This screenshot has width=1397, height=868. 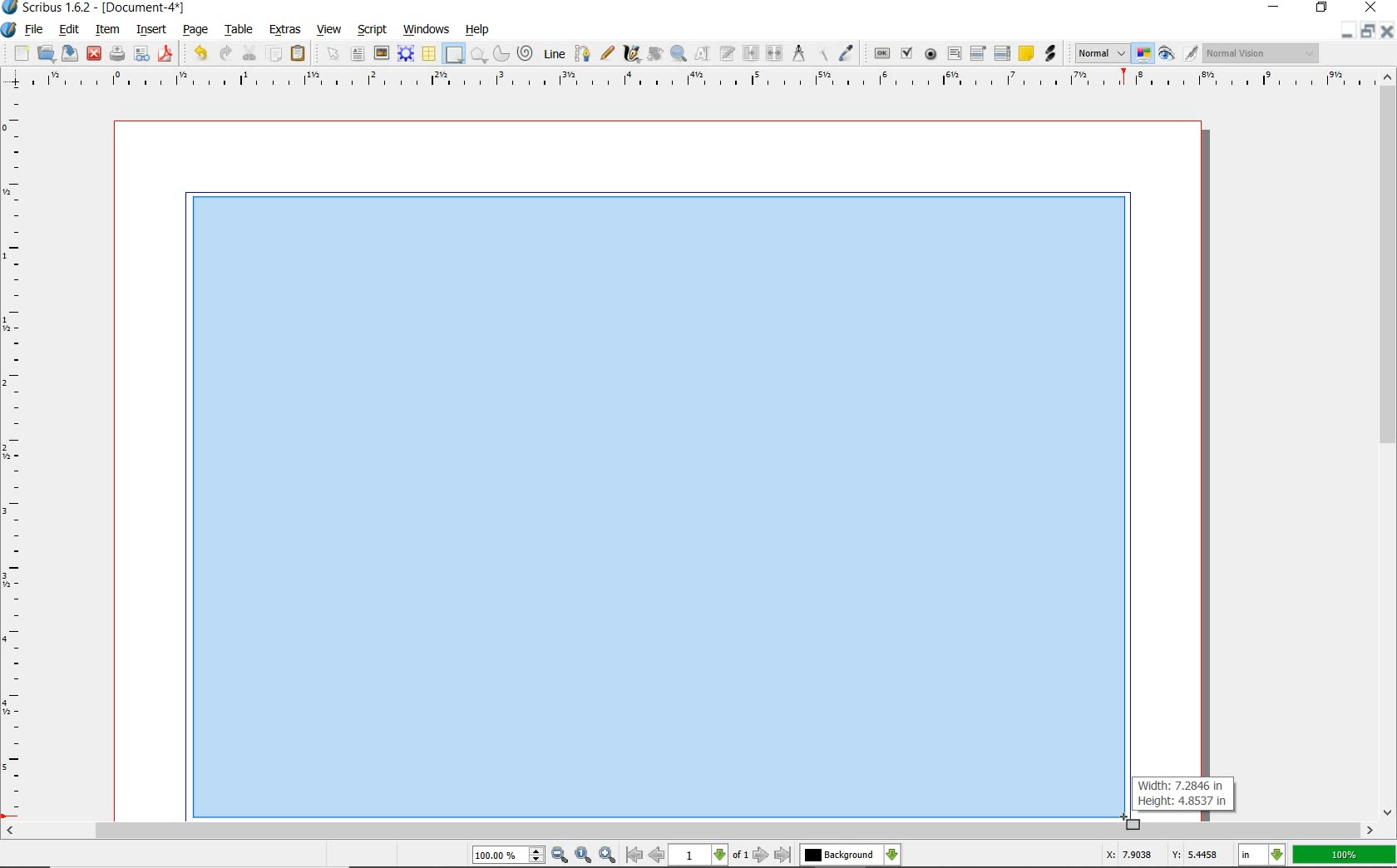 What do you see at coordinates (227, 53) in the screenshot?
I see `redo` at bounding box center [227, 53].